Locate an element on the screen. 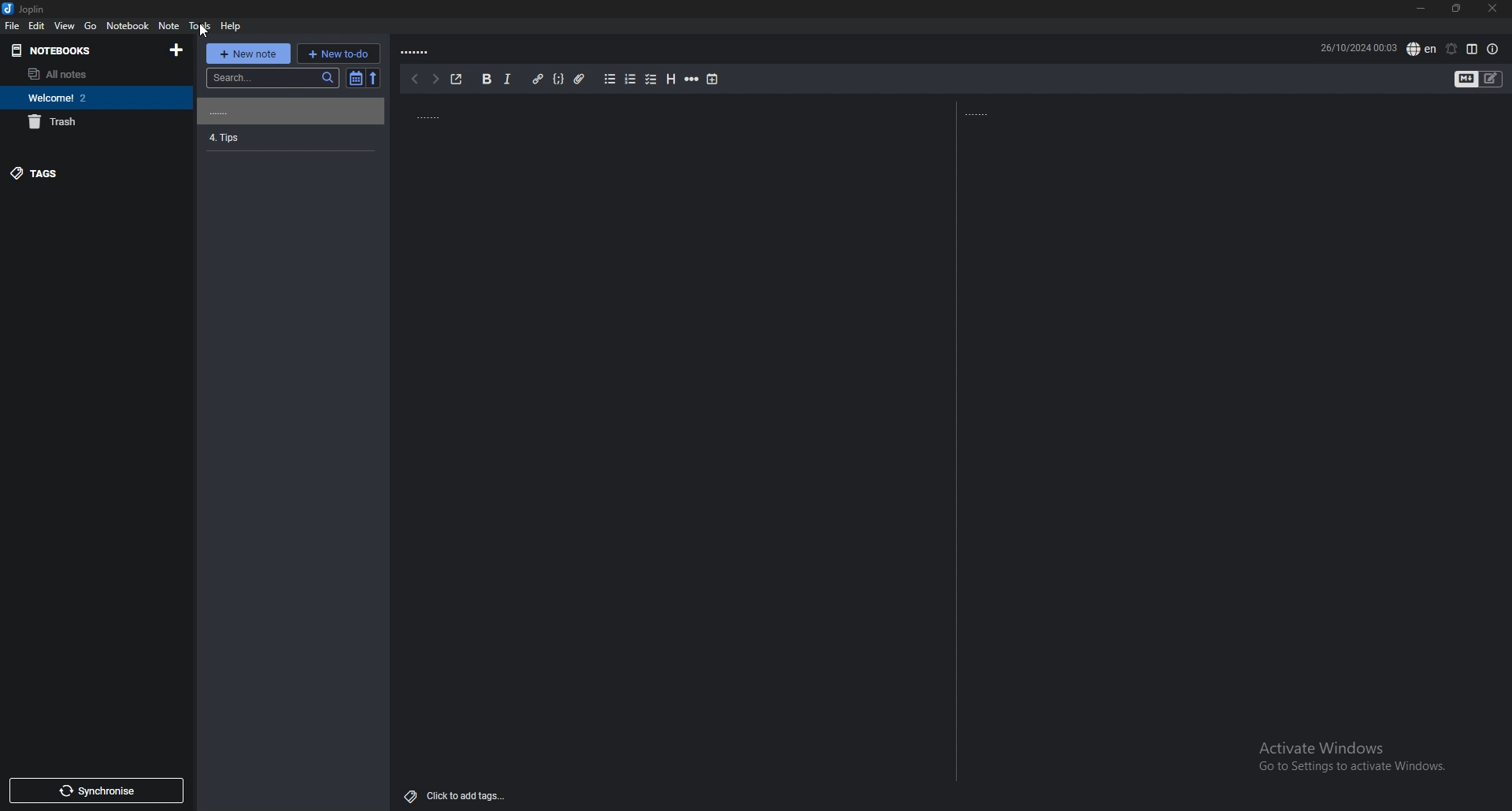 Image resolution: width=1512 pixels, height=811 pixels. add hyperlink is located at coordinates (540, 80).